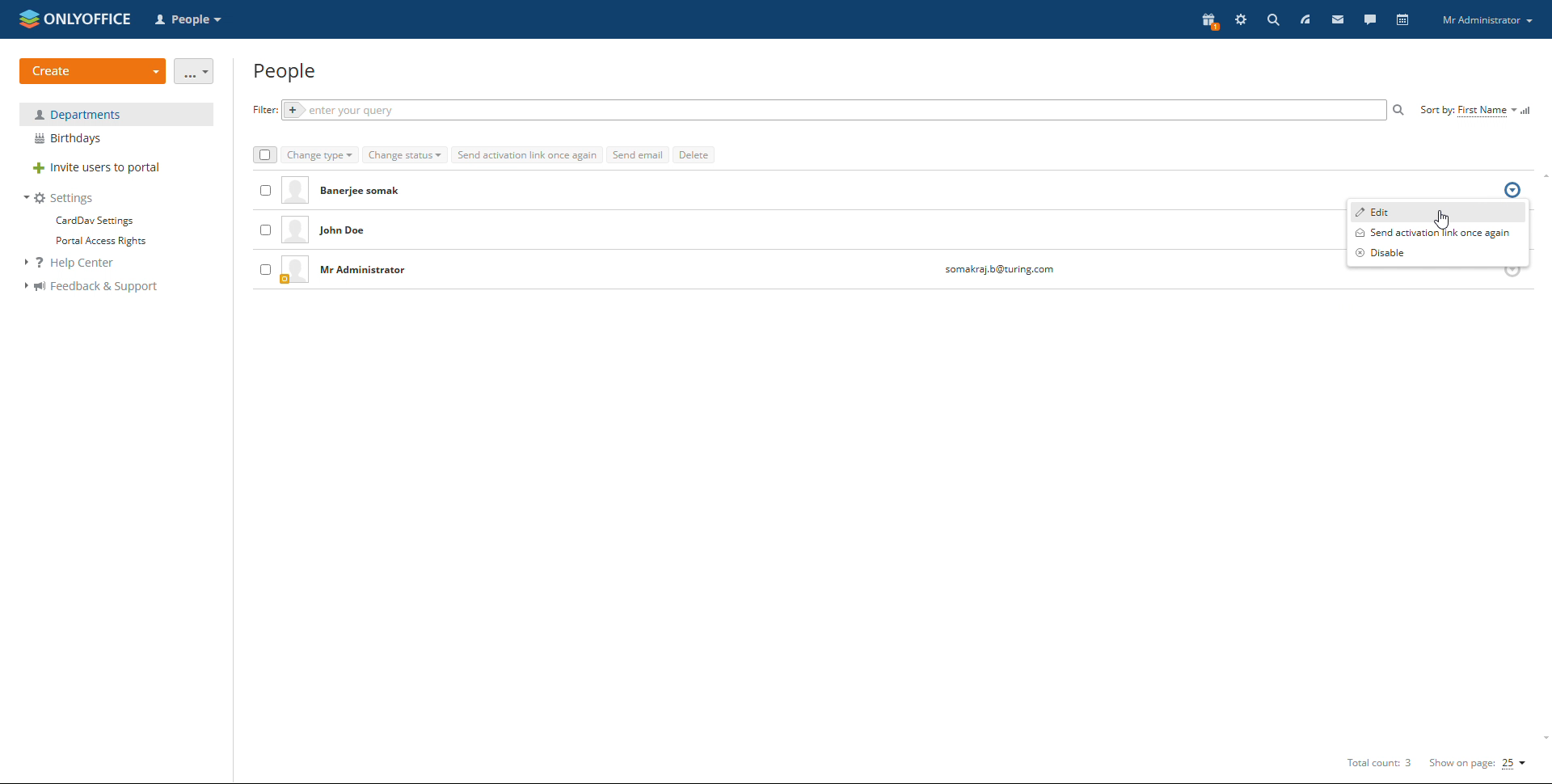  What do you see at coordinates (1241, 21) in the screenshot?
I see `settings` at bounding box center [1241, 21].